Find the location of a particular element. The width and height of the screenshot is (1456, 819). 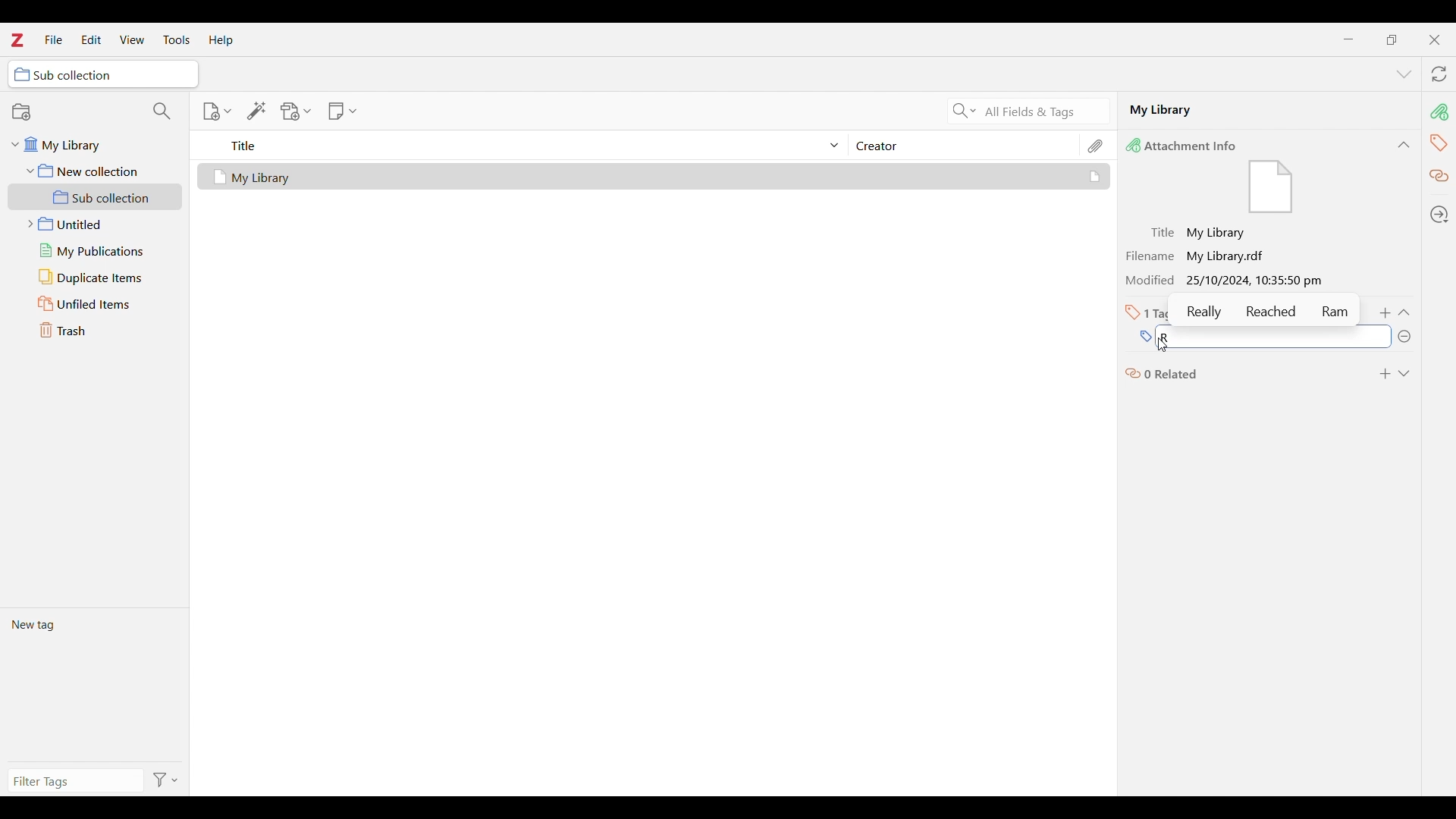

New item options is located at coordinates (217, 111).